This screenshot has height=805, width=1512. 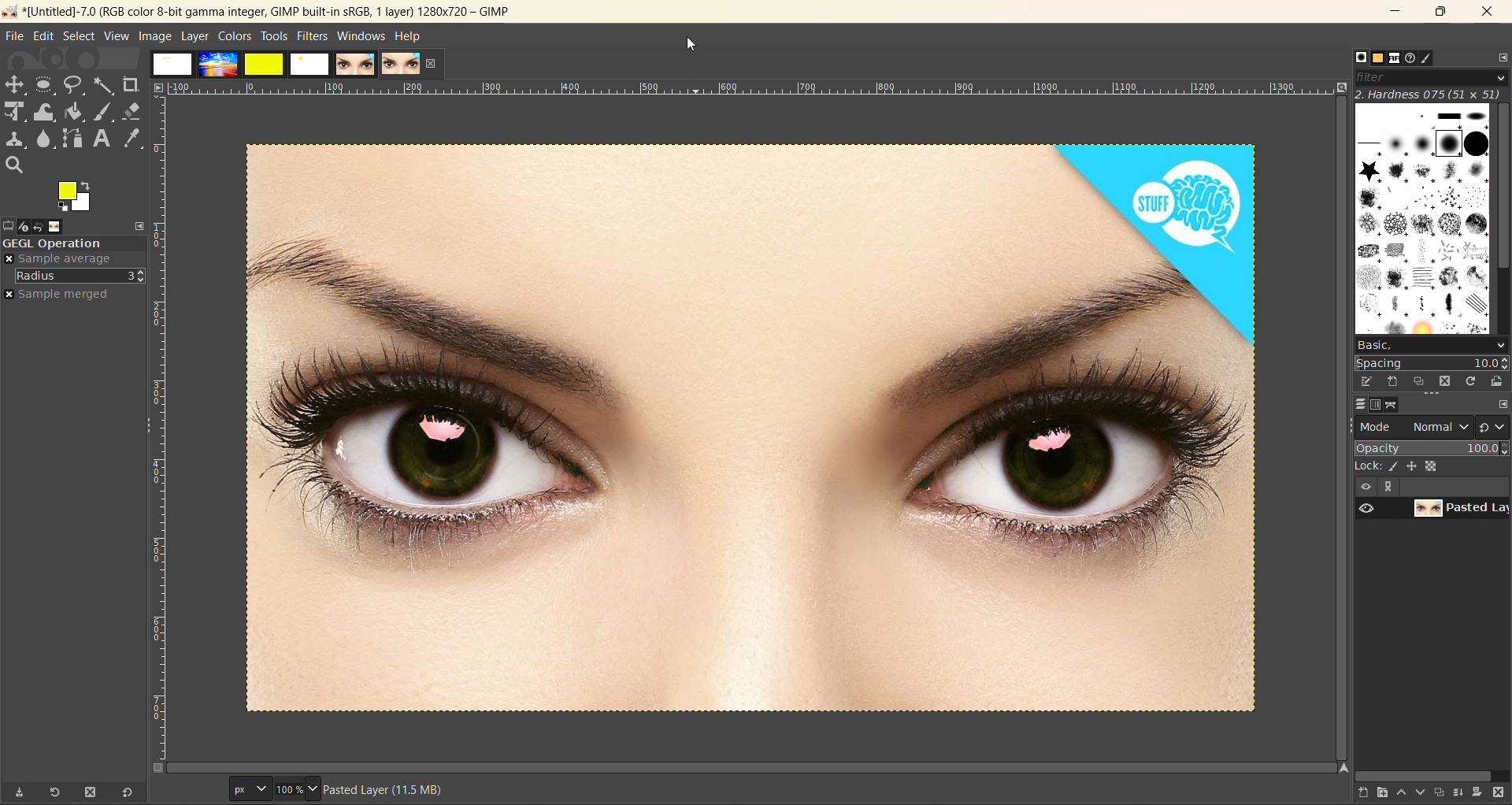 What do you see at coordinates (1433, 365) in the screenshot?
I see `spacing` at bounding box center [1433, 365].